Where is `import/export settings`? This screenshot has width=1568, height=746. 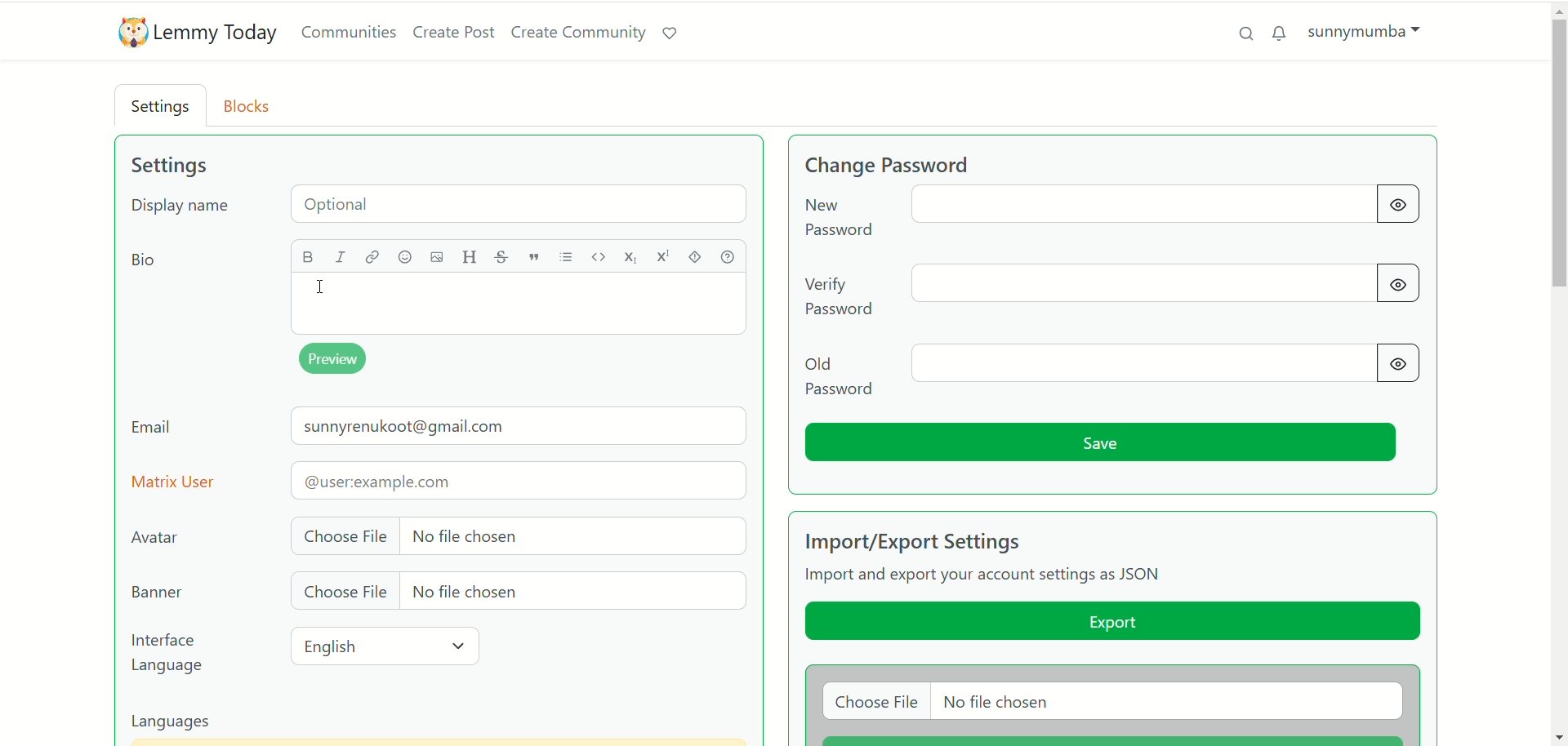 import/export settings is located at coordinates (947, 540).